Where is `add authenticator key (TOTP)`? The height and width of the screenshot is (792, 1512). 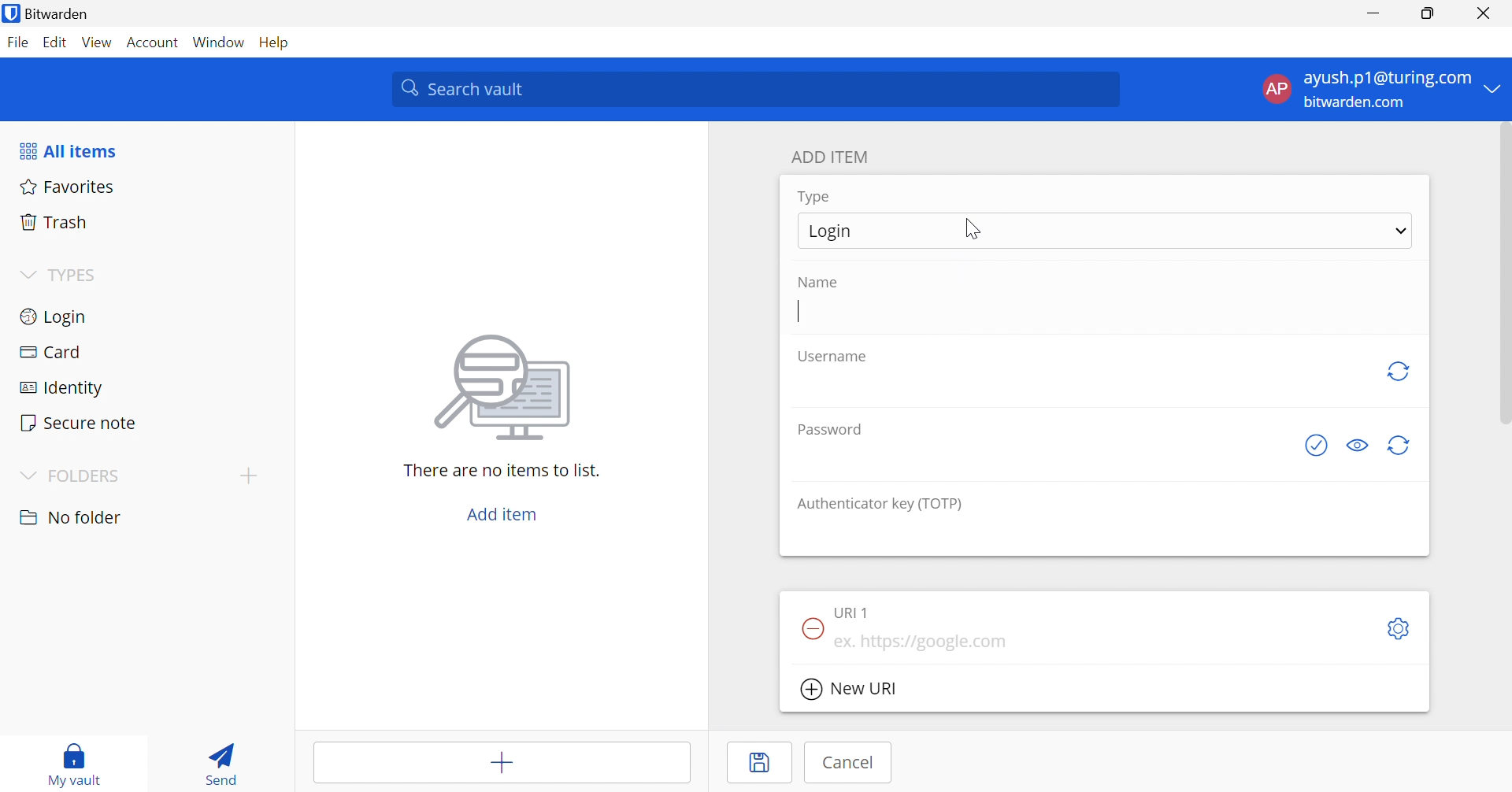
add authenticator key (TOTP) is located at coordinates (1106, 534).